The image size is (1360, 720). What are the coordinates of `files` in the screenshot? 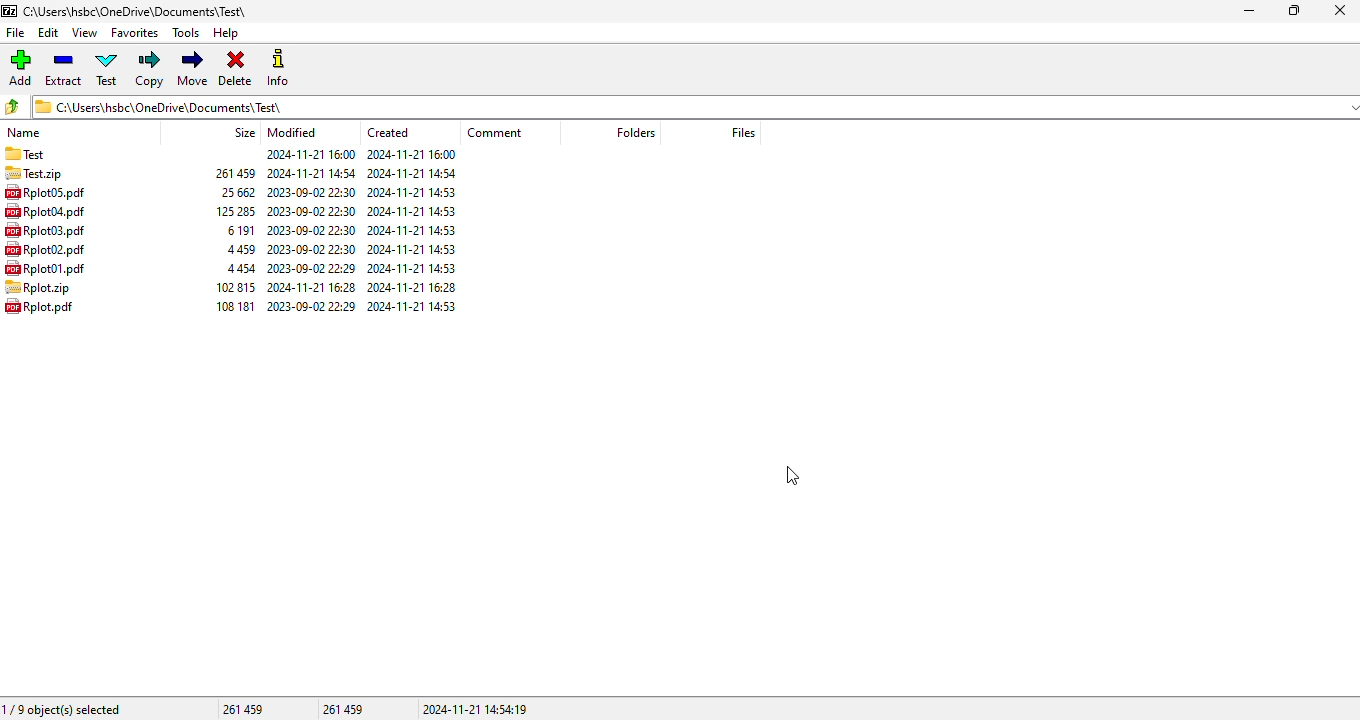 It's located at (742, 132).